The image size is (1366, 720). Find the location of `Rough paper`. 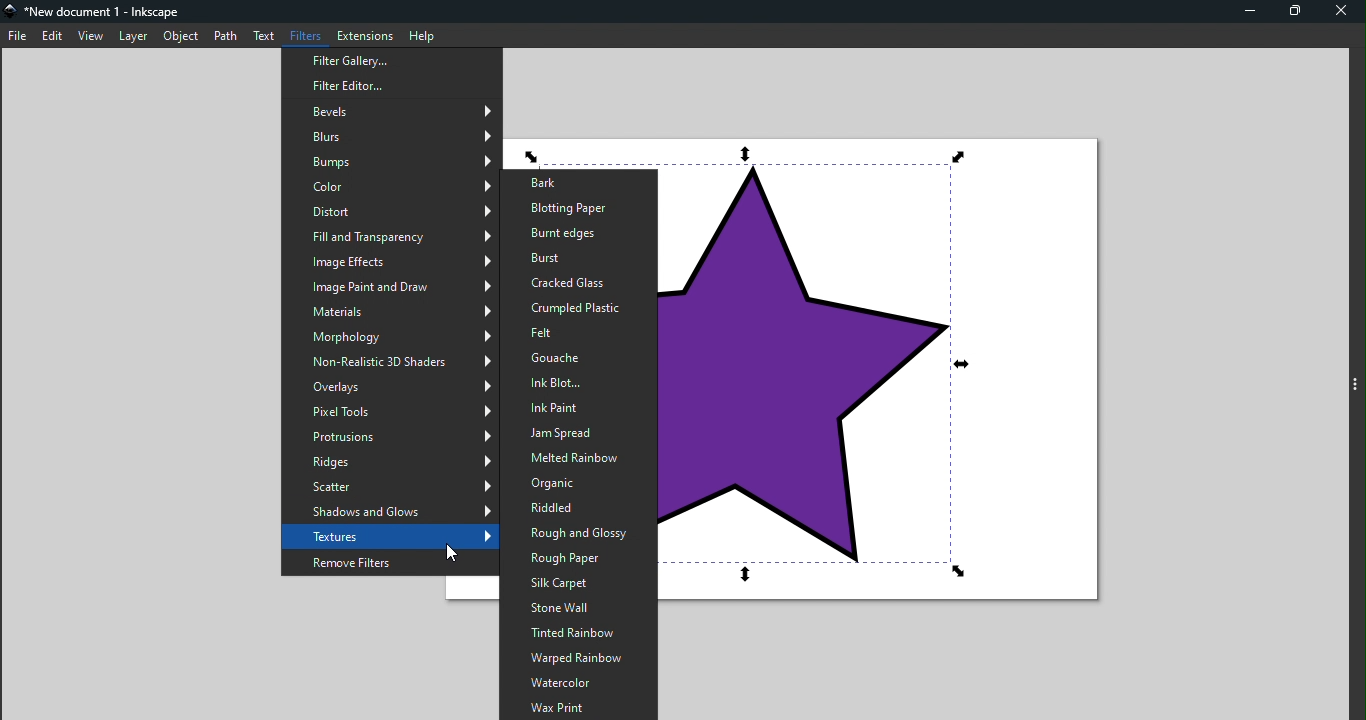

Rough paper is located at coordinates (578, 560).